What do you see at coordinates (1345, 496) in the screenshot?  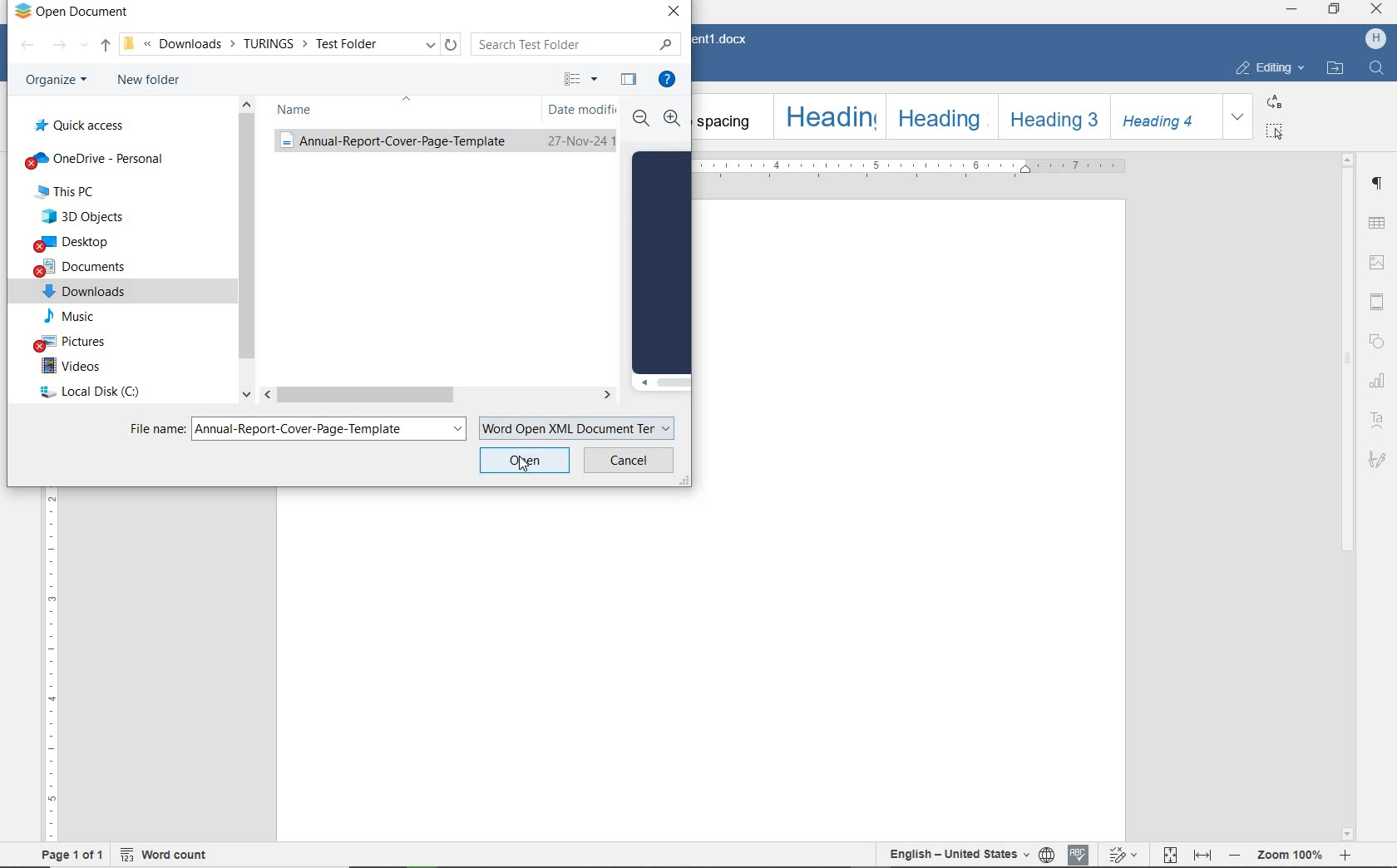 I see `scrollbar` at bounding box center [1345, 496].